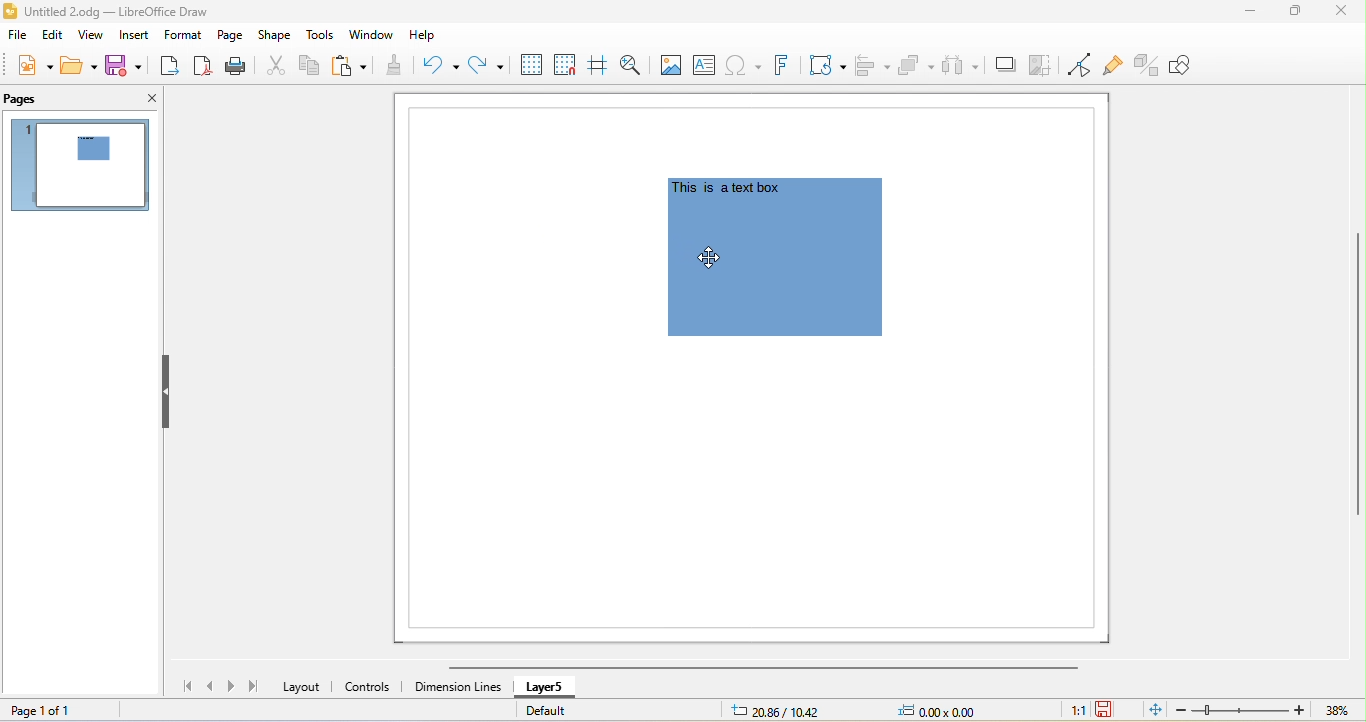  What do you see at coordinates (371, 685) in the screenshot?
I see `controls` at bounding box center [371, 685].